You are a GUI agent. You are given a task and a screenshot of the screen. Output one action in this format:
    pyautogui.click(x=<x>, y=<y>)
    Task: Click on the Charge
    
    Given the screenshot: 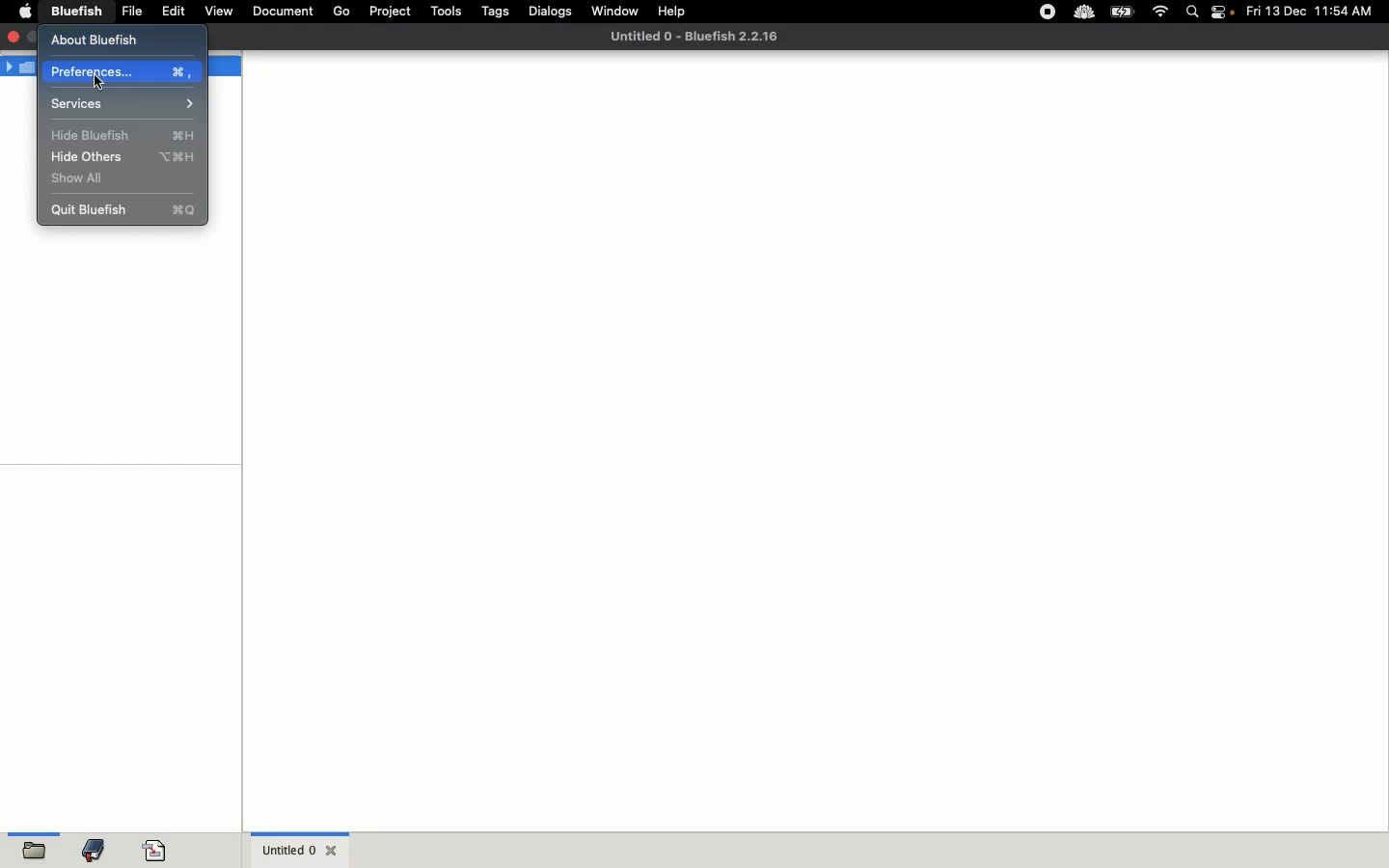 What is the action you would take?
    pyautogui.click(x=1122, y=14)
    